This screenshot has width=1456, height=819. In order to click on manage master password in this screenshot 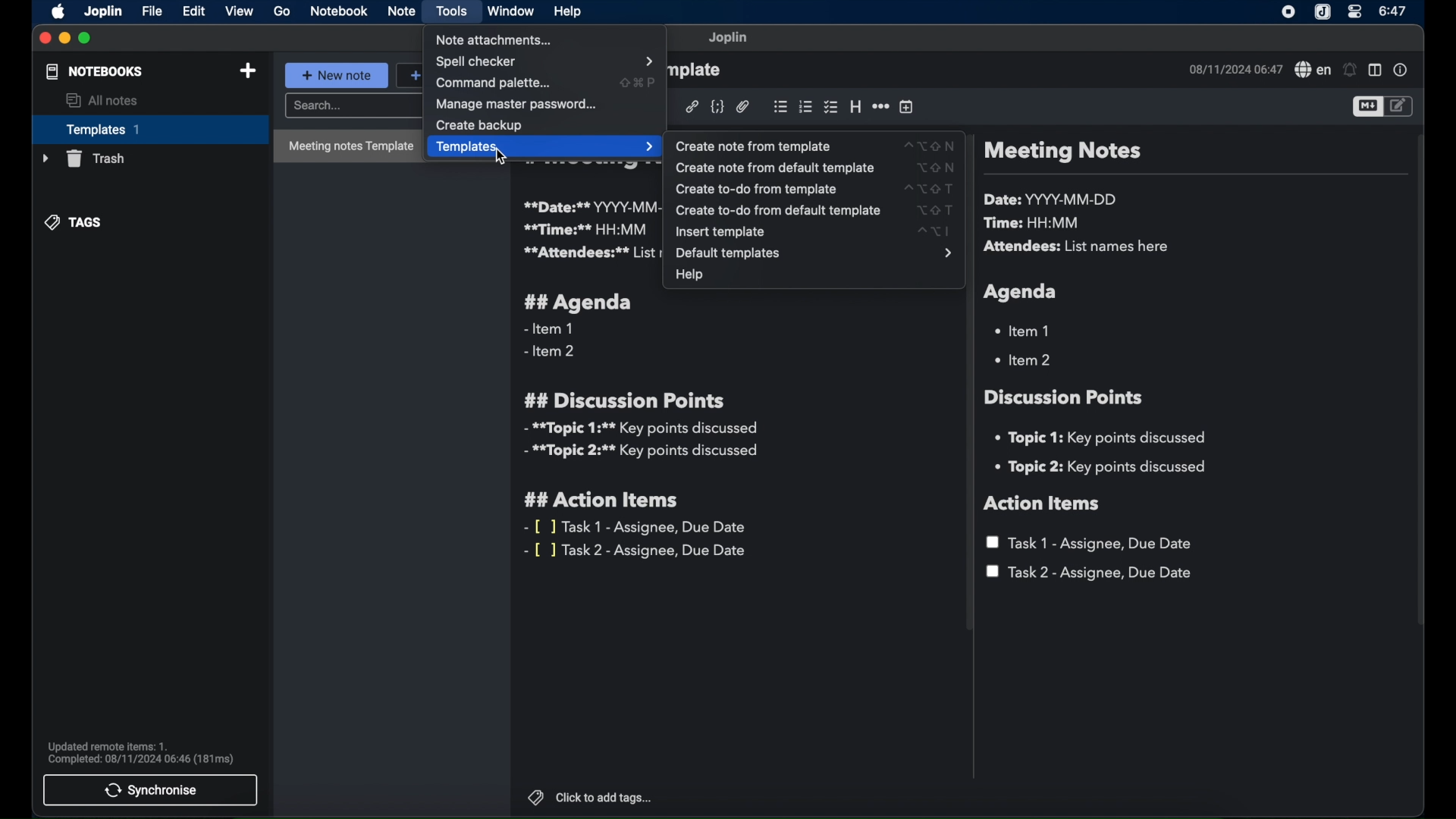, I will do `click(519, 104)`.